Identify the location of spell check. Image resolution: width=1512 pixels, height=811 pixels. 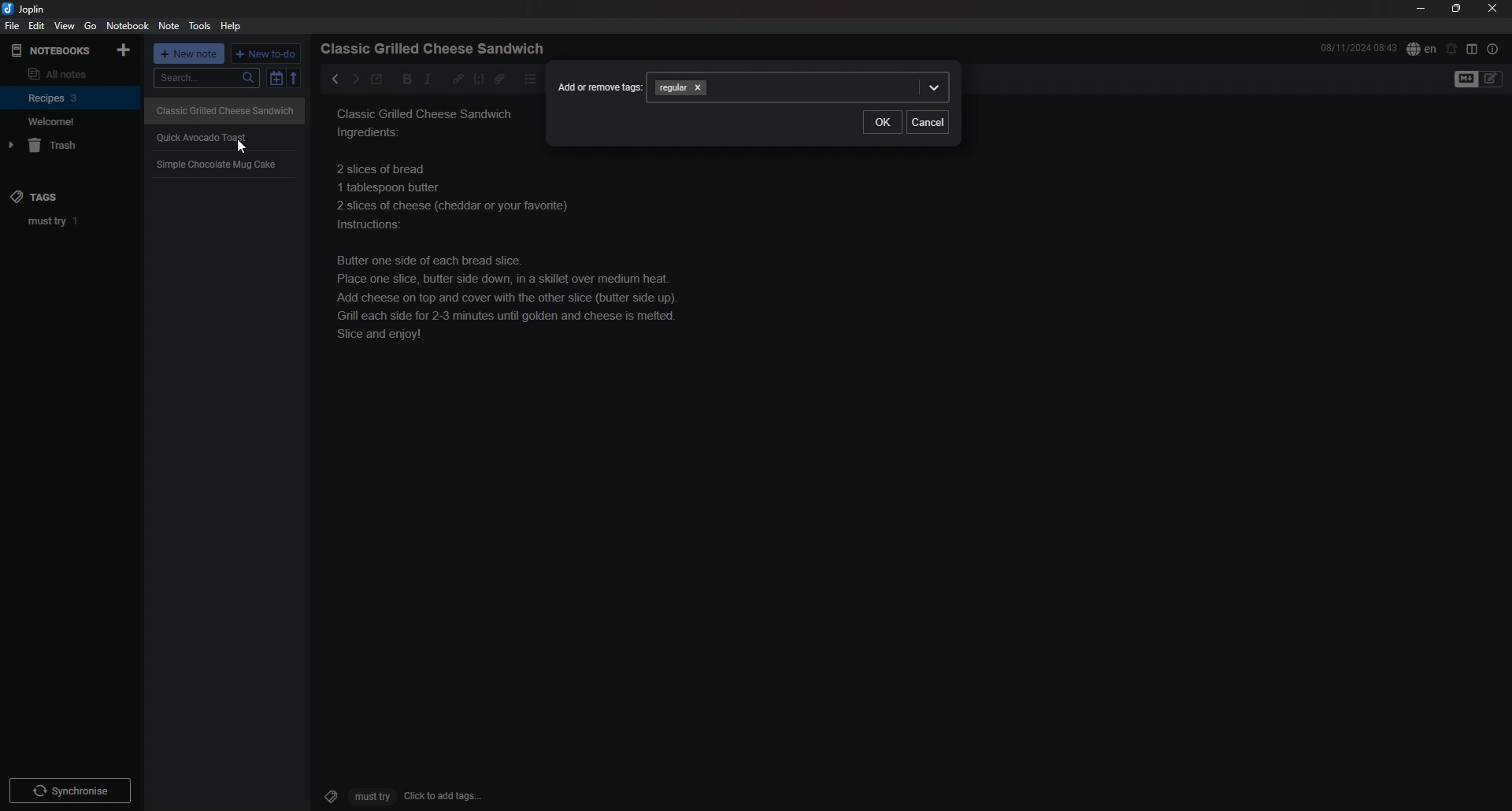
(1421, 48).